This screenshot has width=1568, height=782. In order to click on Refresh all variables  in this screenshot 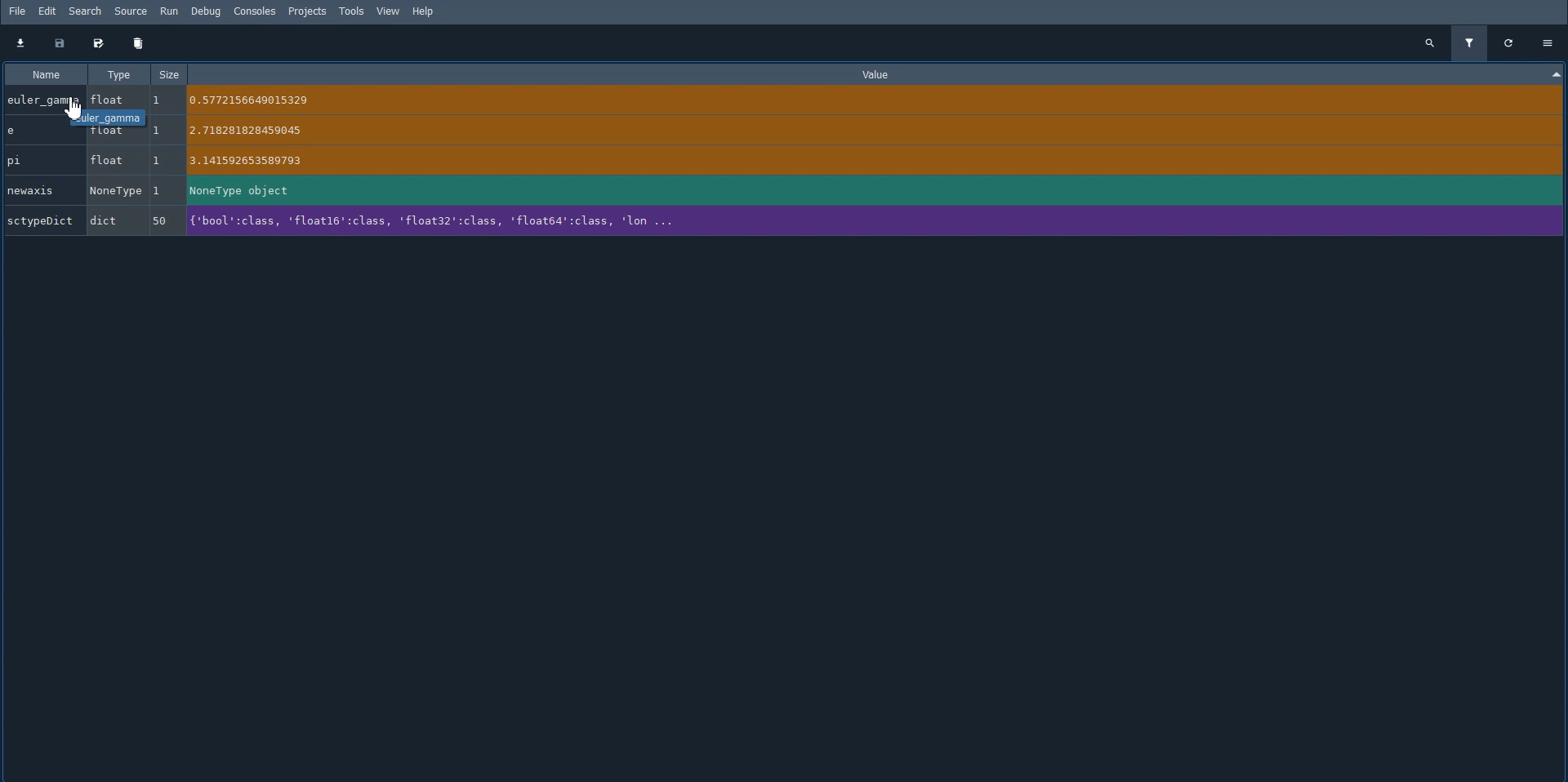, I will do `click(1511, 42)`.